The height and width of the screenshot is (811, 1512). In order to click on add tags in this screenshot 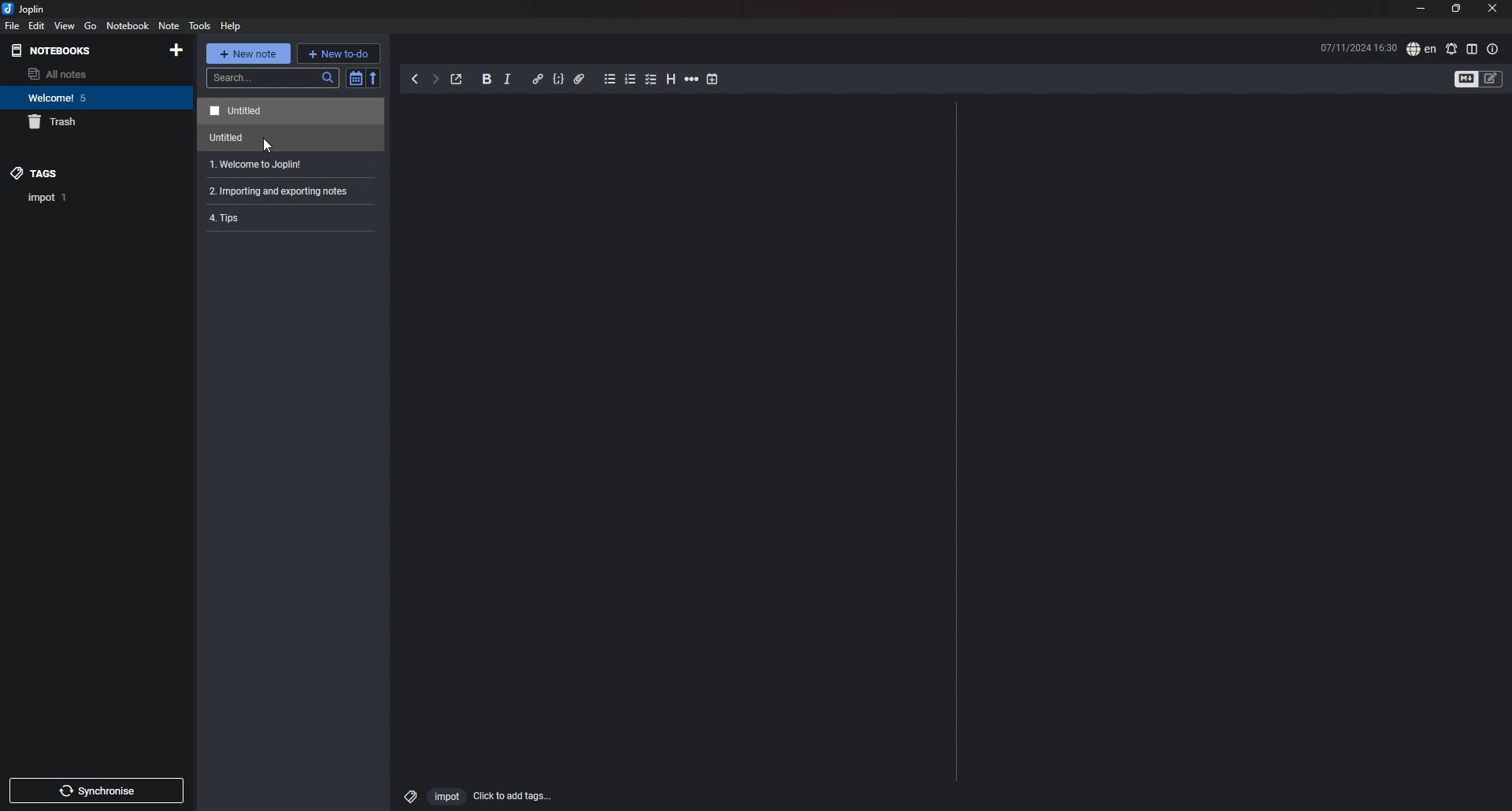, I will do `click(513, 796)`.